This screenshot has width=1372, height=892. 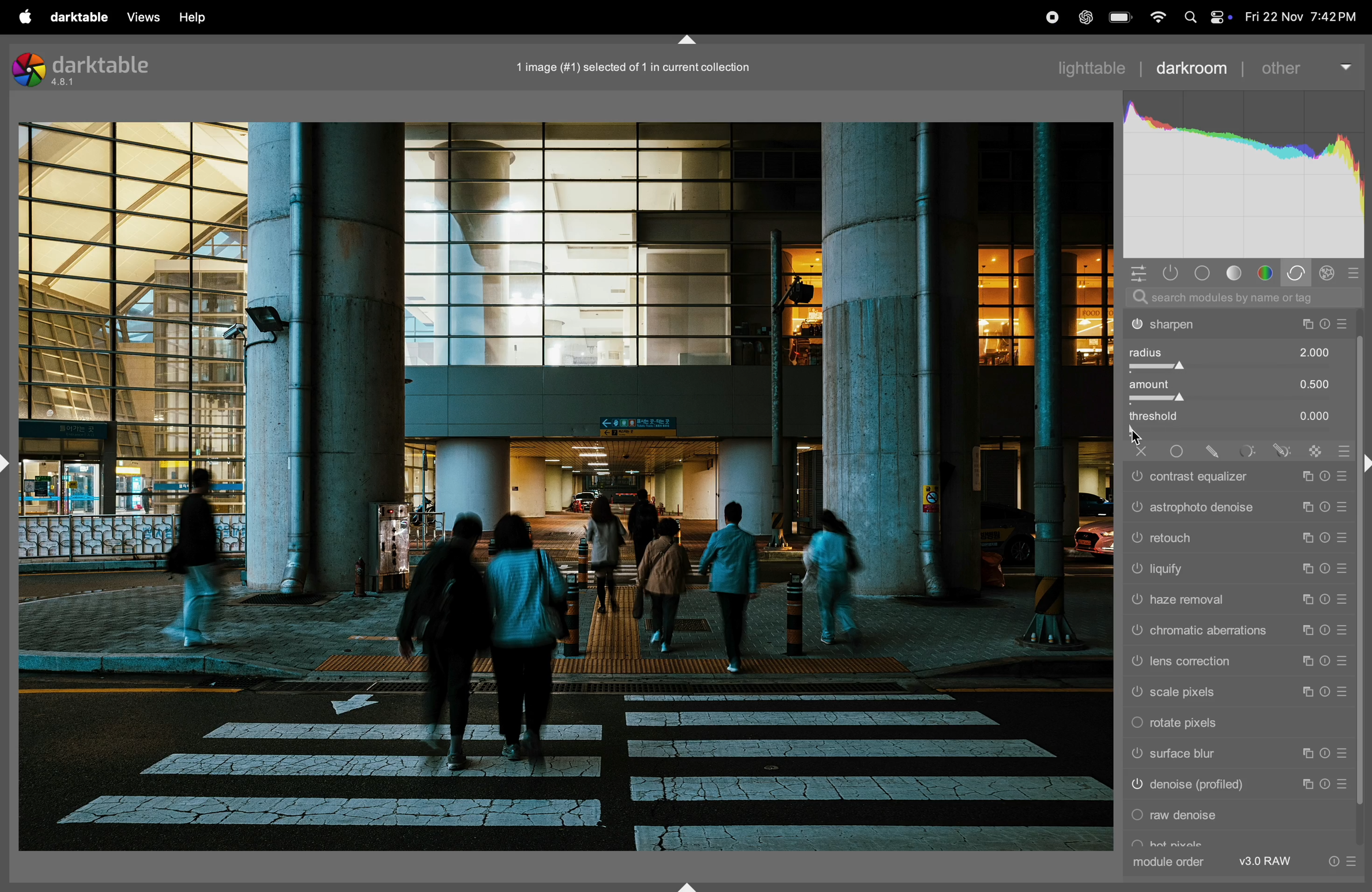 I want to click on help, so click(x=203, y=14).